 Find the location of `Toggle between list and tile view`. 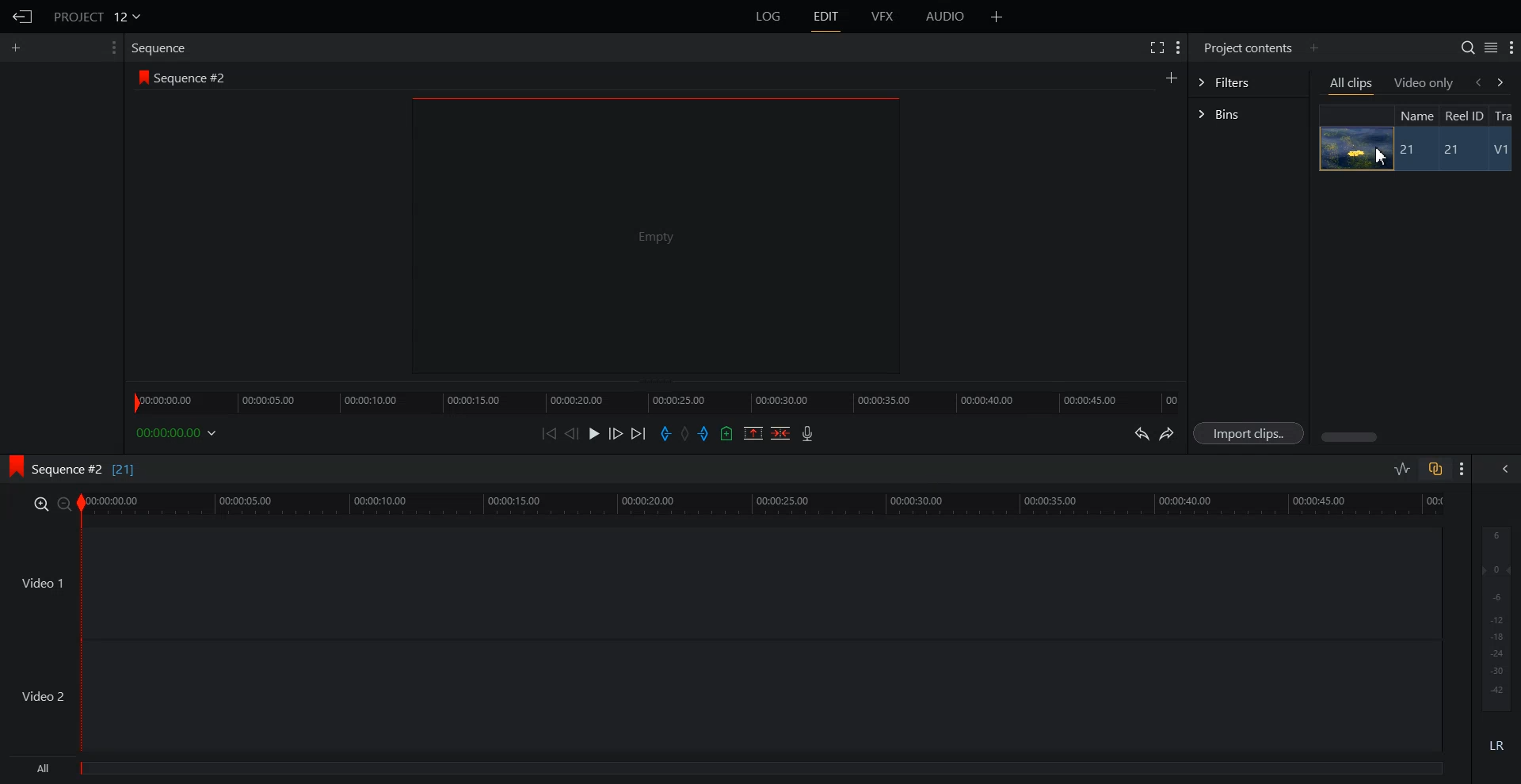

Toggle between list and tile view is located at coordinates (1491, 48).